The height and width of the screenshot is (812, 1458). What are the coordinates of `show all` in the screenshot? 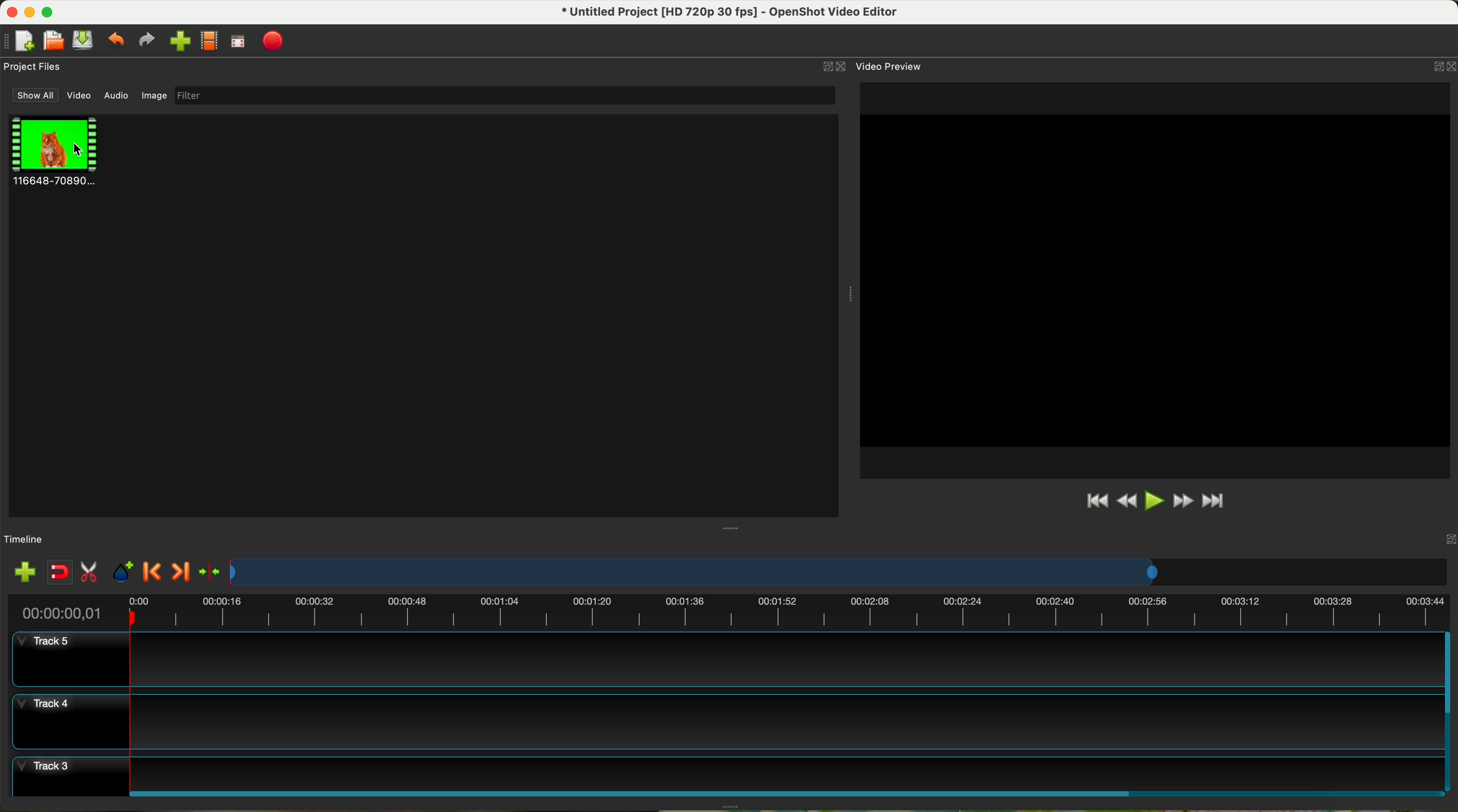 It's located at (33, 95).